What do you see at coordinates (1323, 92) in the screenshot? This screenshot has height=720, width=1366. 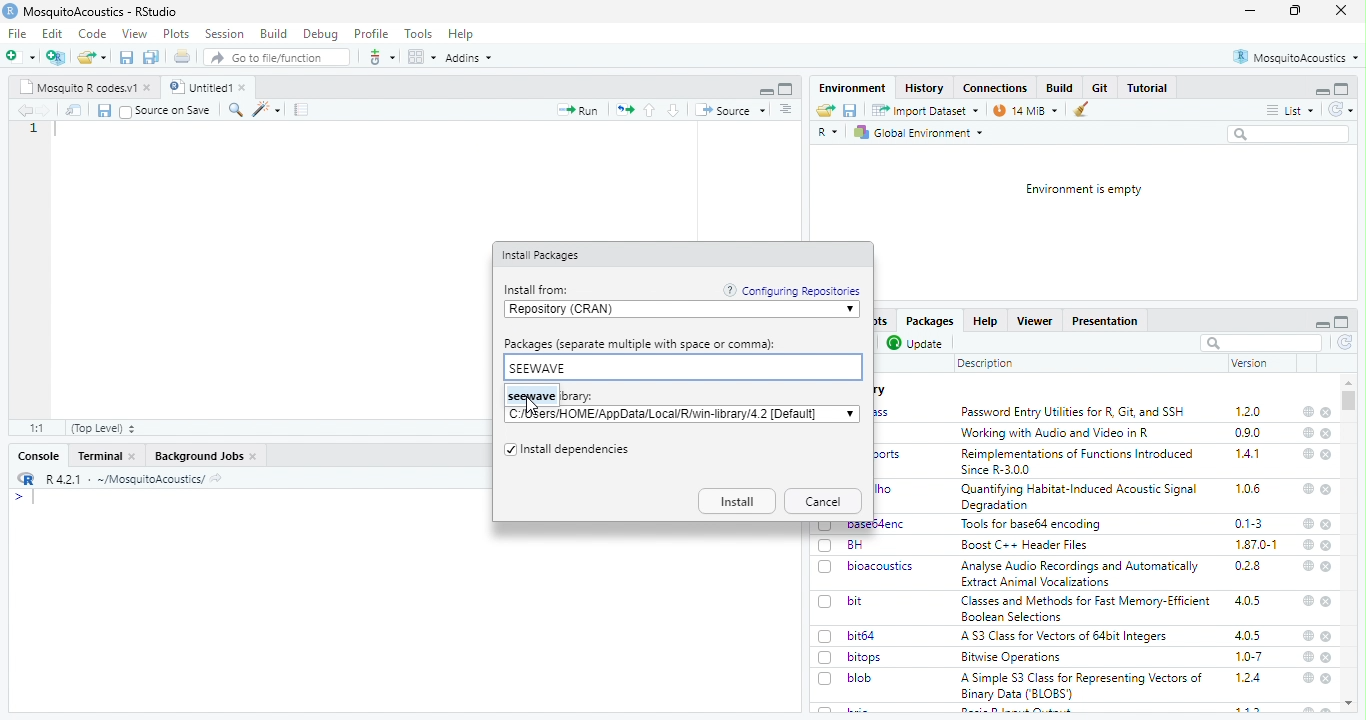 I see `minimise` at bounding box center [1323, 92].